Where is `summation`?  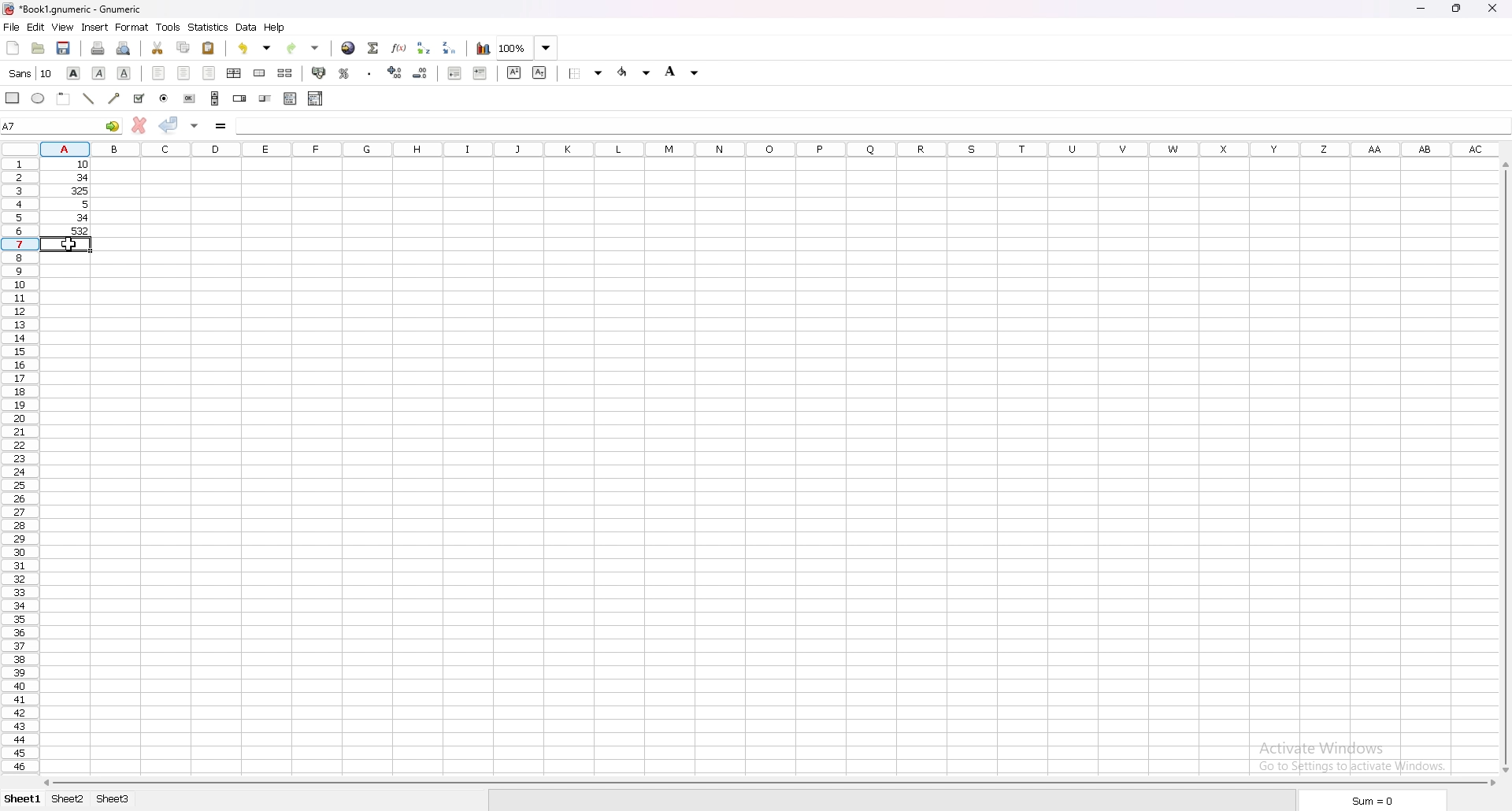
summation is located at coordinates (374, 48).